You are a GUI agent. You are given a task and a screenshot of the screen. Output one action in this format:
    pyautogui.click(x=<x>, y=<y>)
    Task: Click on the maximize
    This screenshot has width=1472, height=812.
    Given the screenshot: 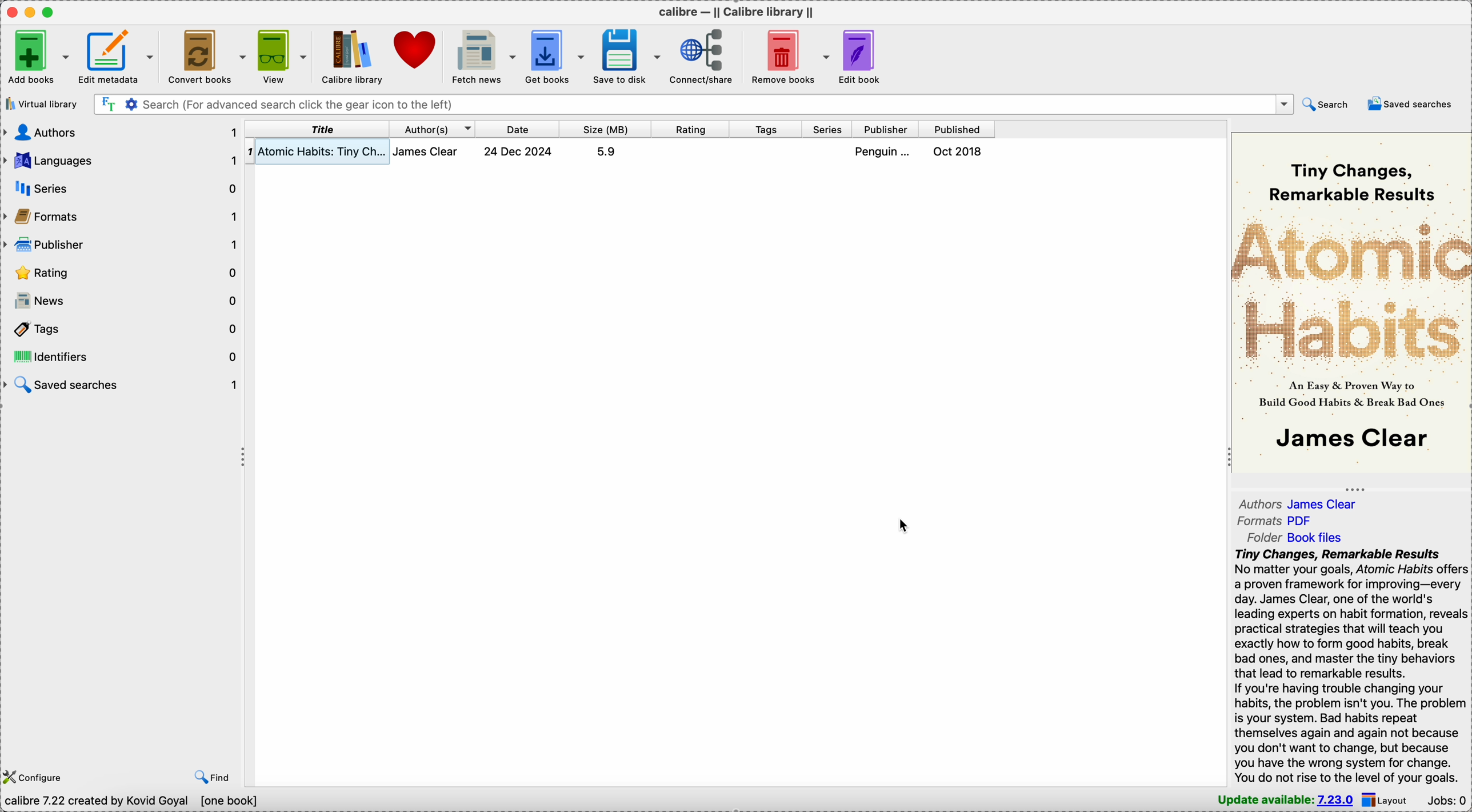 What is the action you would take?
    pyautogui.click(x=51, y=11)
    